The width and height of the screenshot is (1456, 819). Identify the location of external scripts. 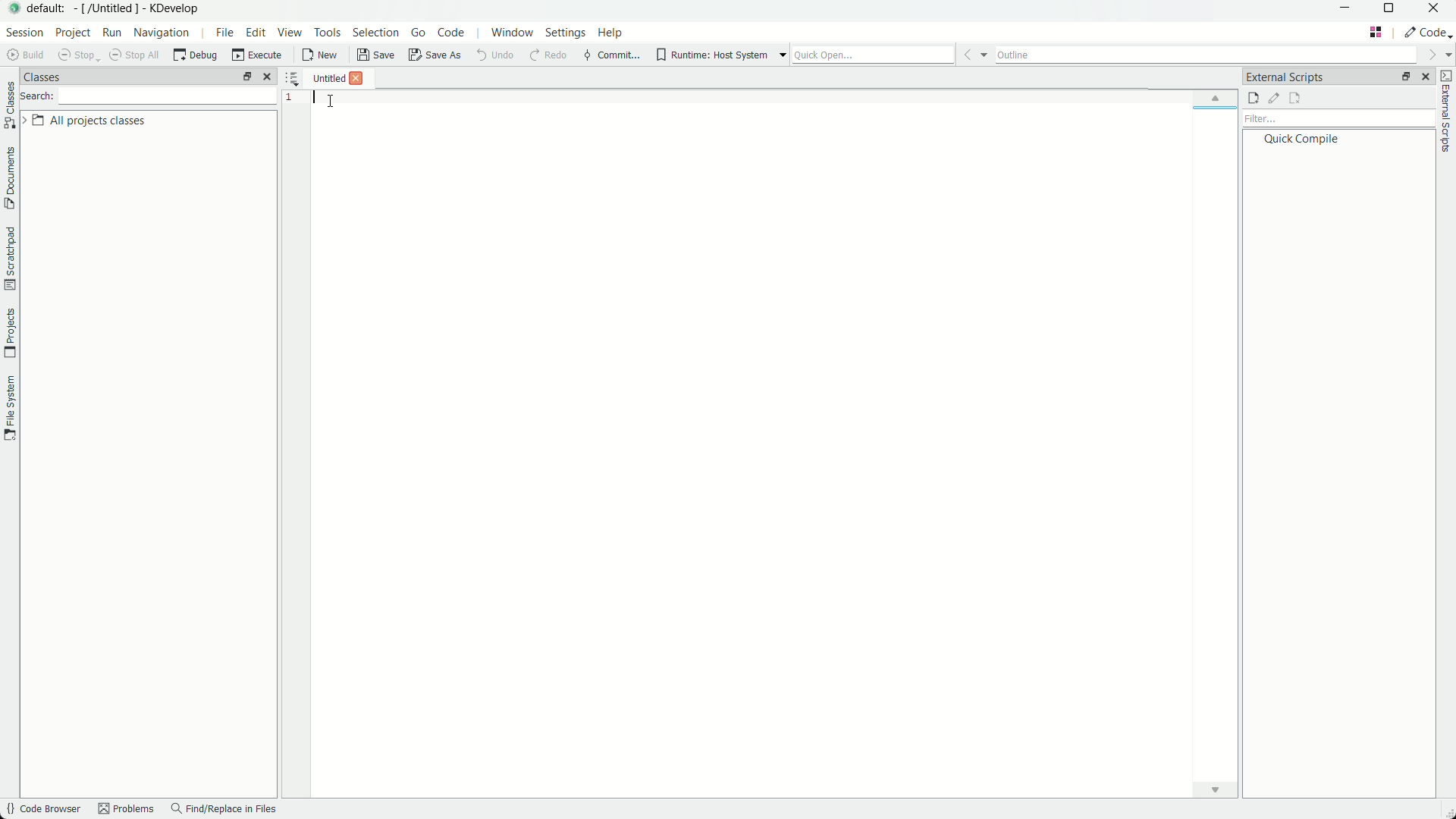
(1285, 76).